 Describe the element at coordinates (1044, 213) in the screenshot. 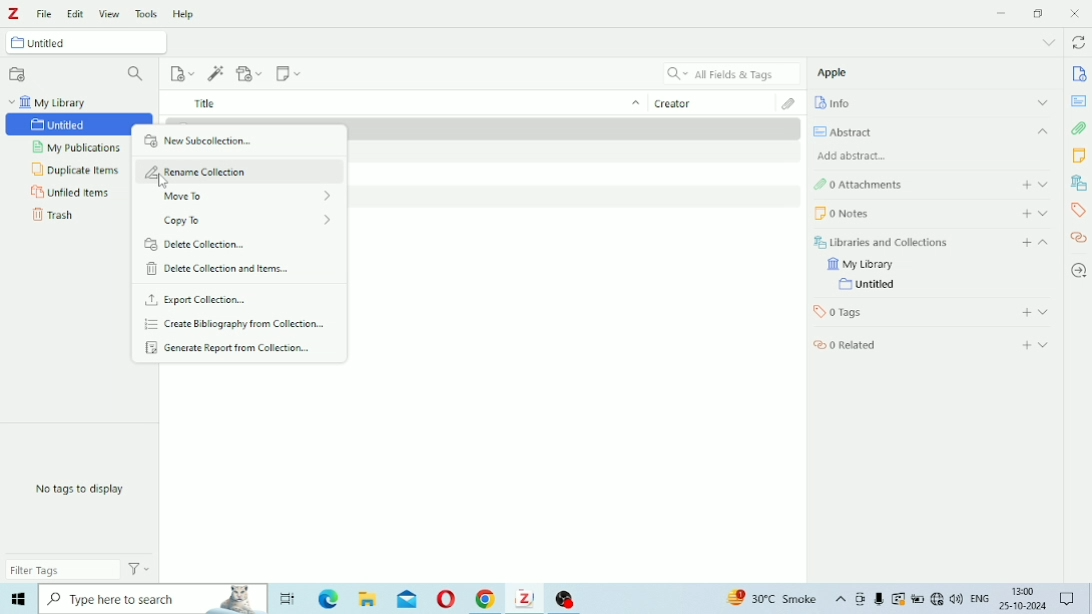

I see `Expand section` at that location.